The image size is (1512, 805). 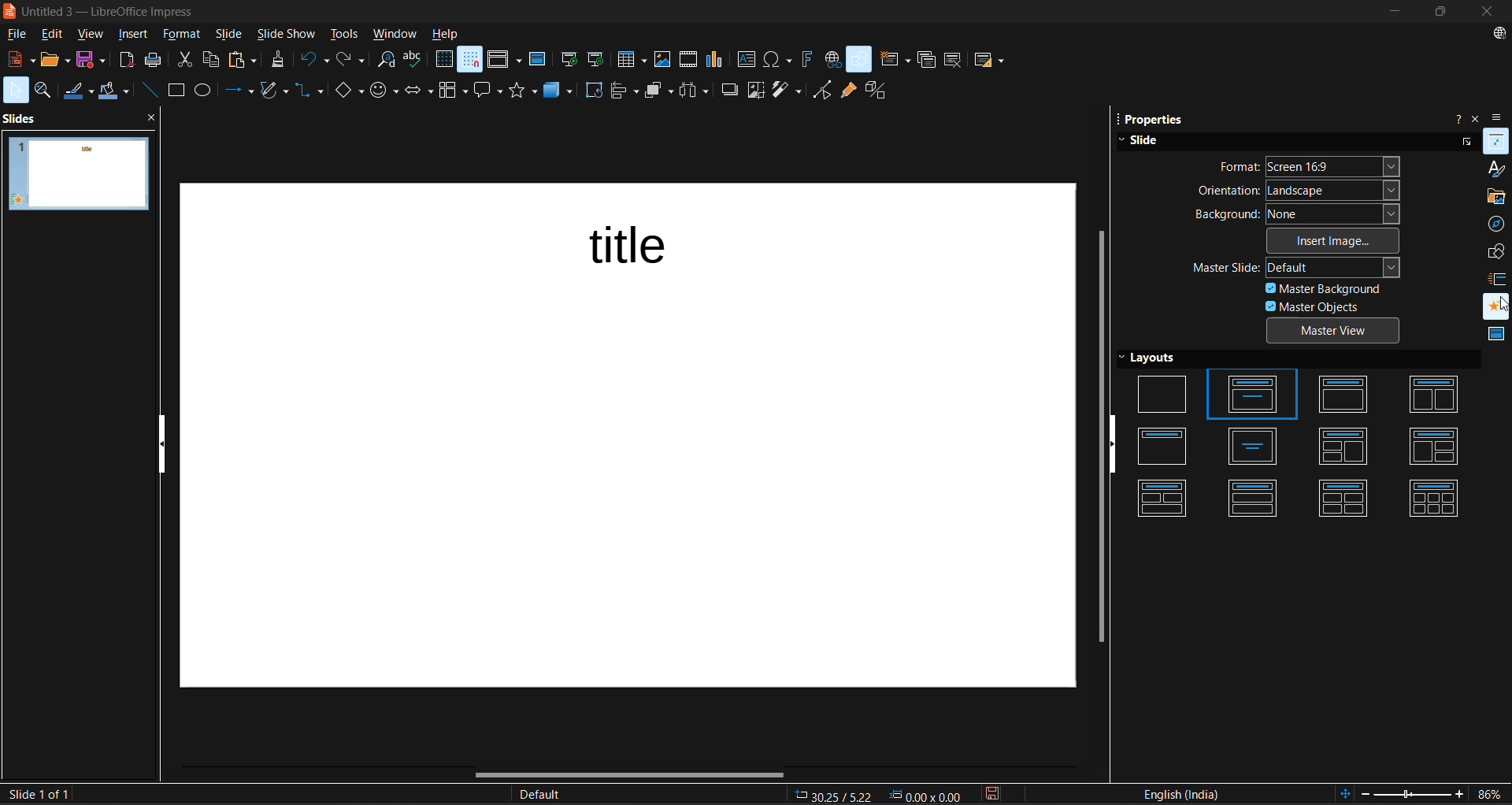 What do you see at coordinates (246, 60) in the screenshot?
I see `paste` at bounding box center [246, 60].